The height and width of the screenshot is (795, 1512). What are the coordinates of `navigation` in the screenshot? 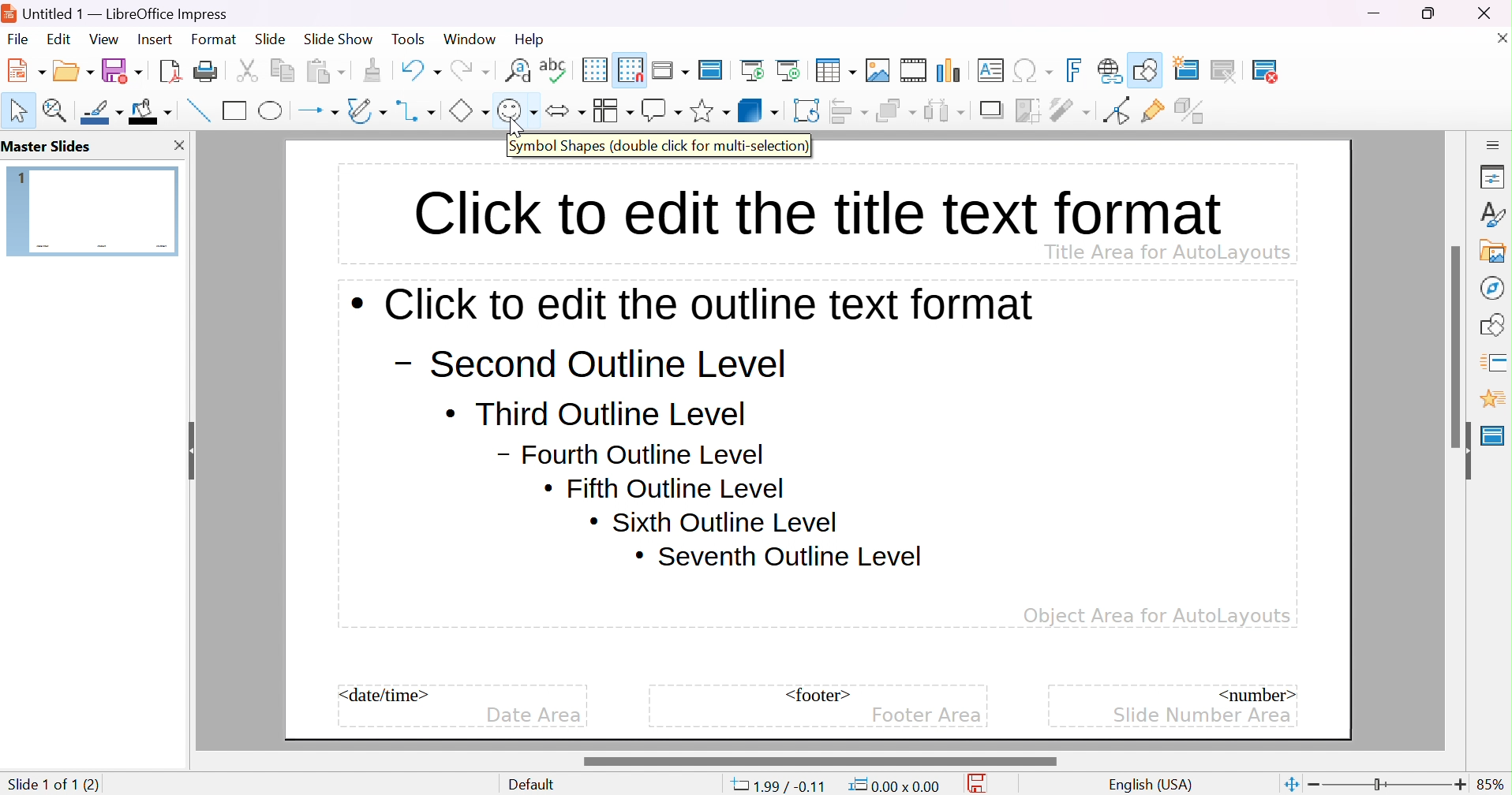 It's located at (1491, 287).